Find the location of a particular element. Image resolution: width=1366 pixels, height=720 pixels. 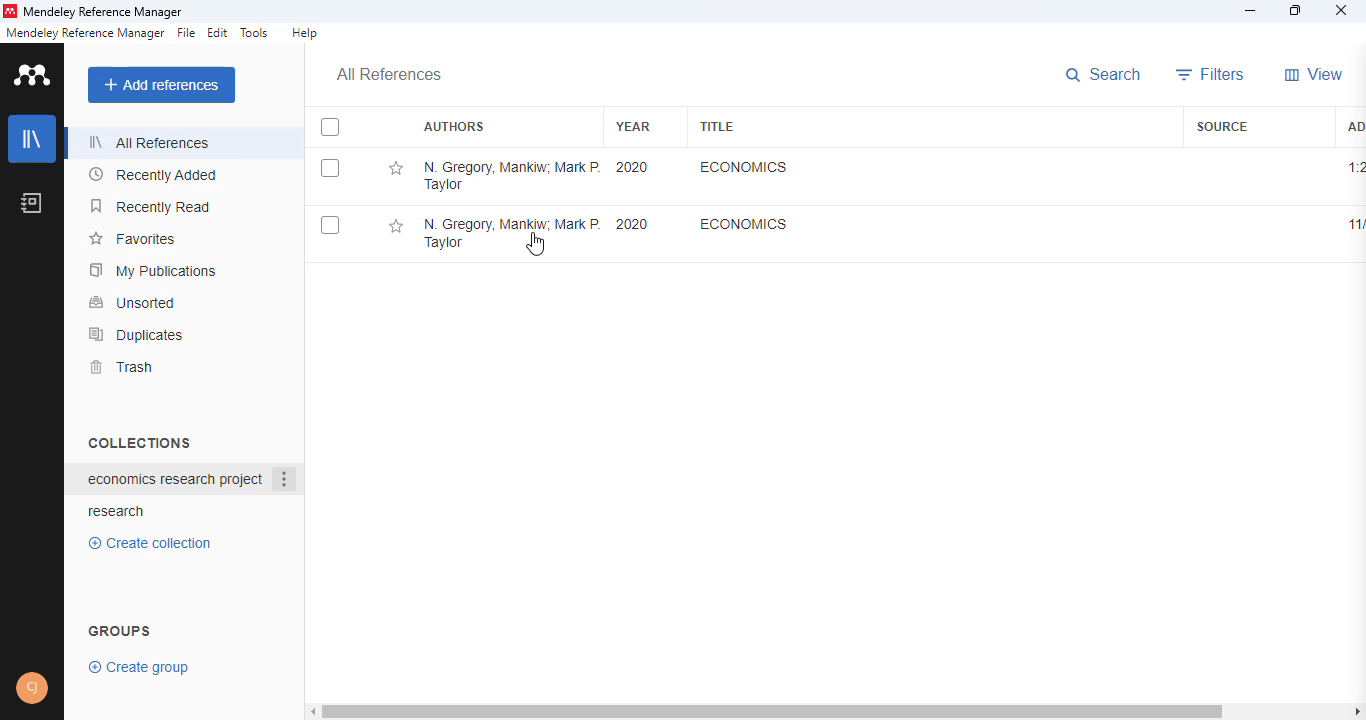

2020 is located at coordinates (633, 167).